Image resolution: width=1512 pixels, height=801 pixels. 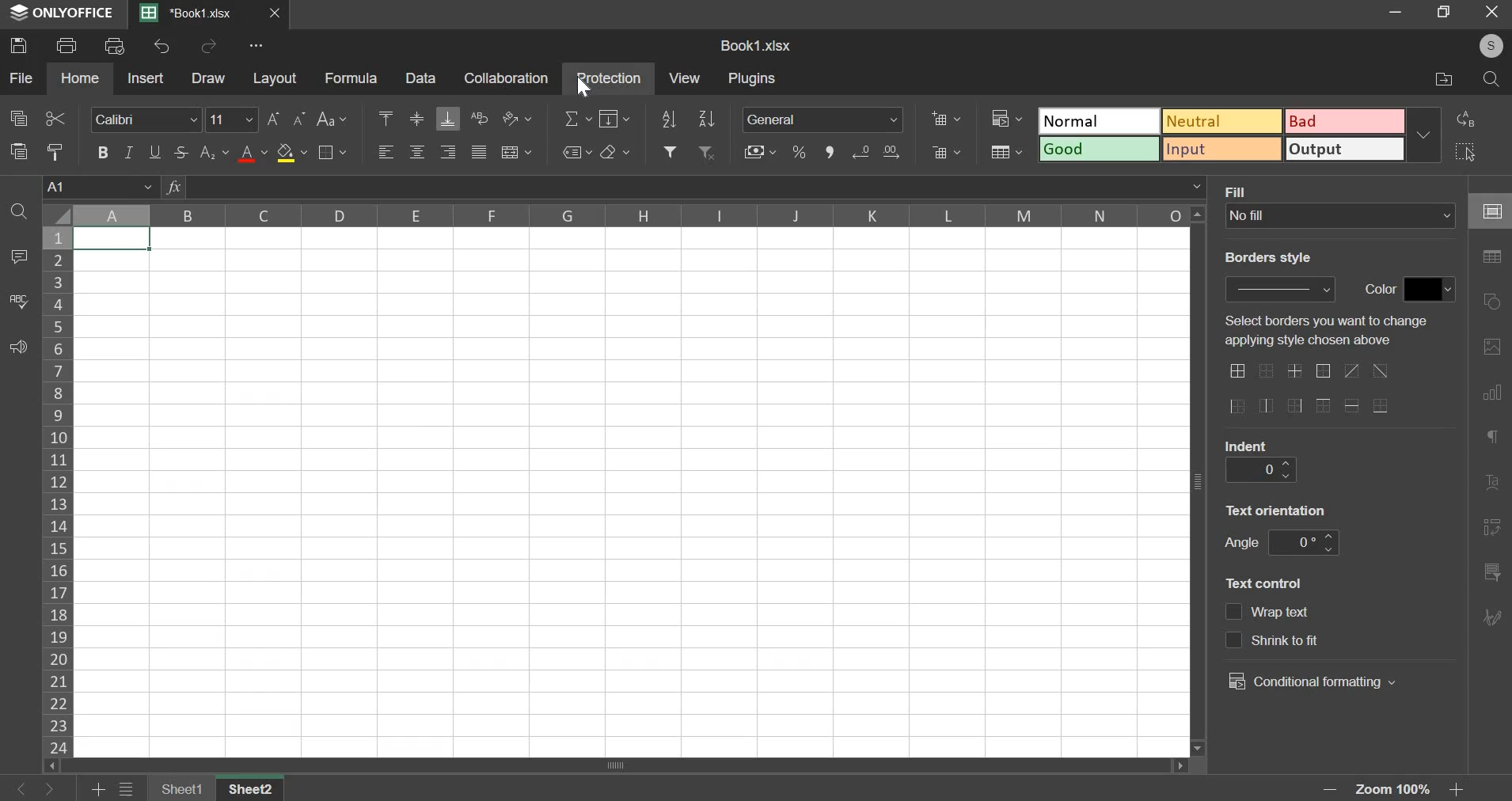 I want to click on right side bar, so click(x=1492, y=615).